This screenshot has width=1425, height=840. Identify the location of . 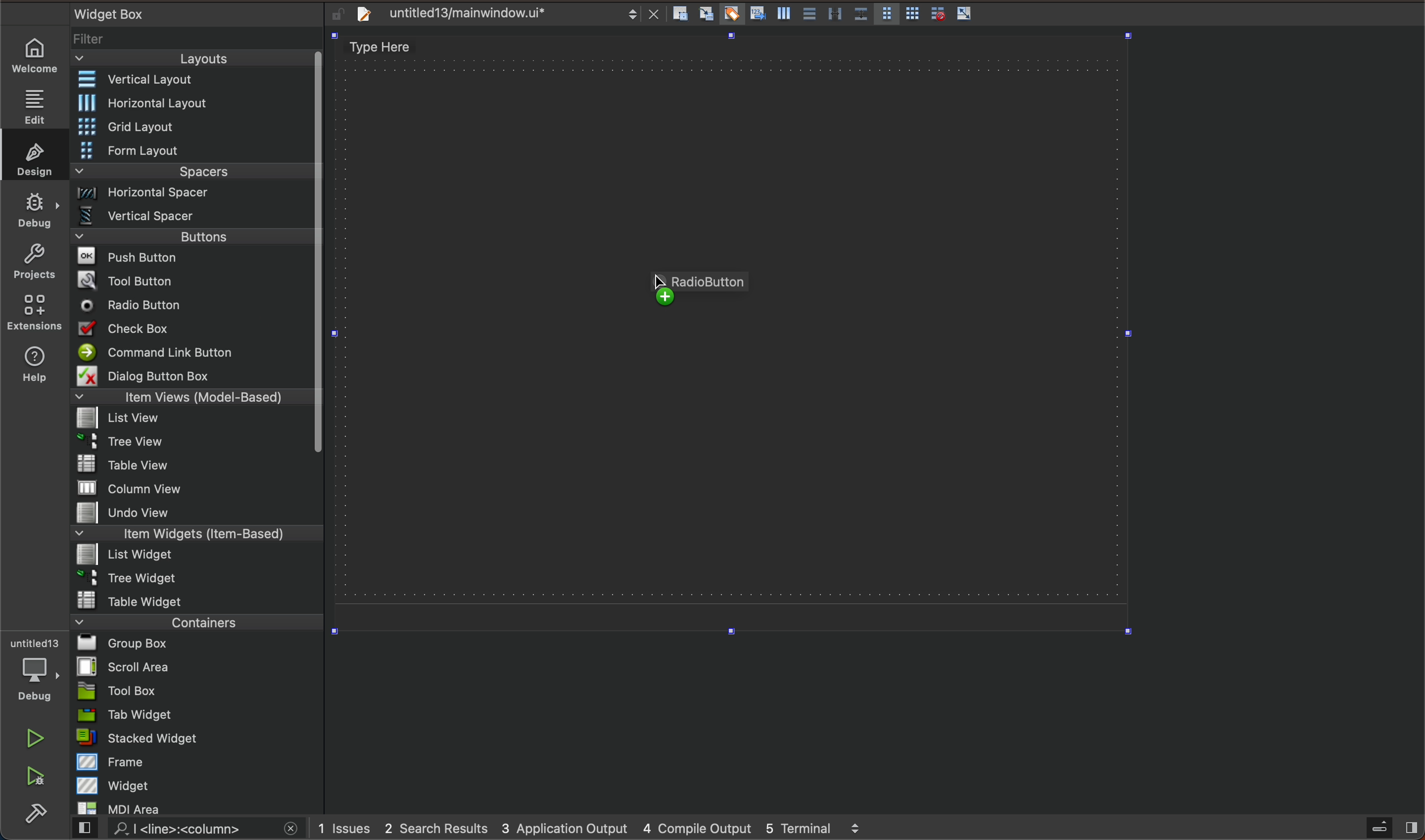
(200, 103).